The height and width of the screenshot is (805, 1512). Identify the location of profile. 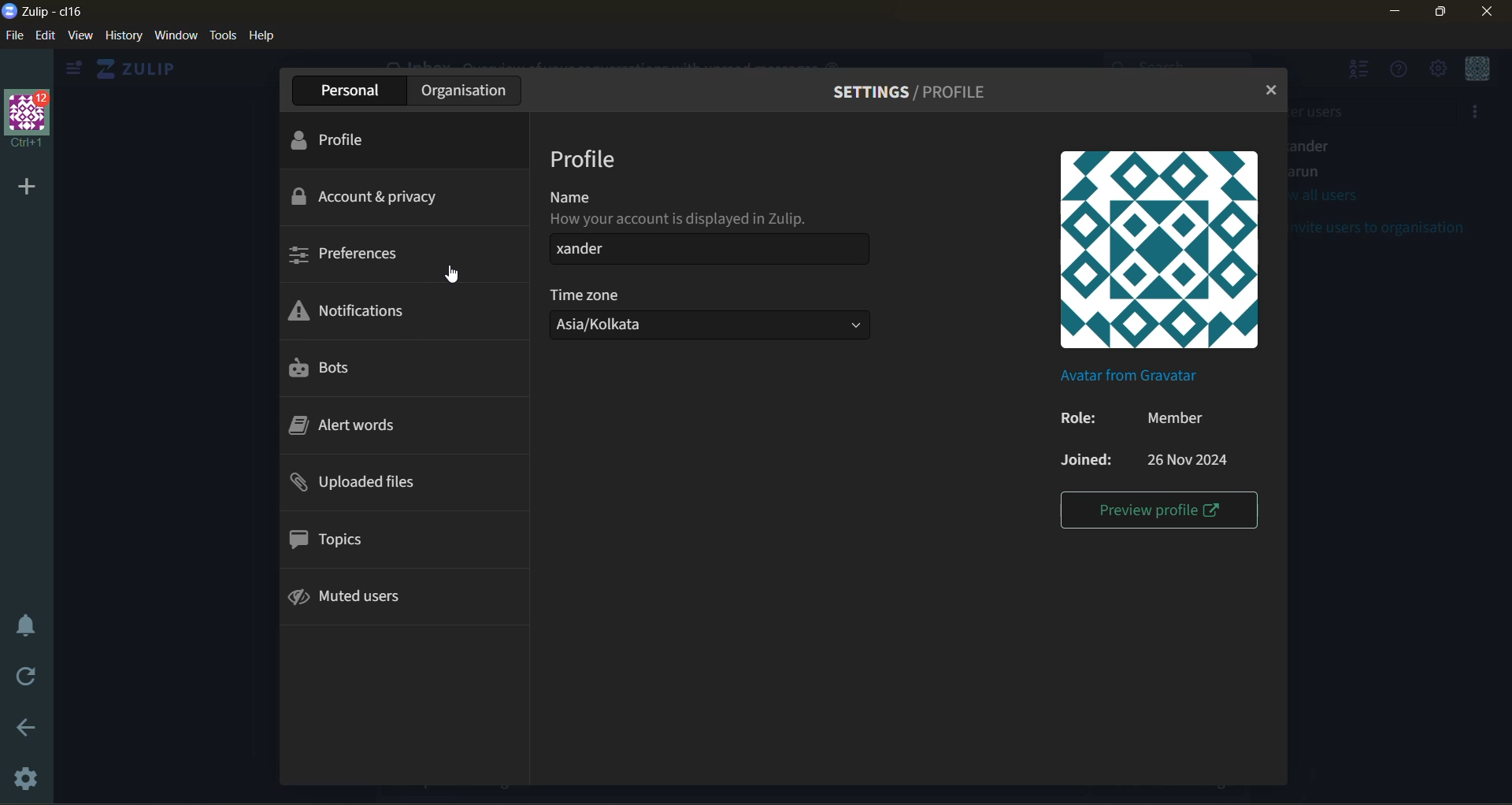
(589, 159).